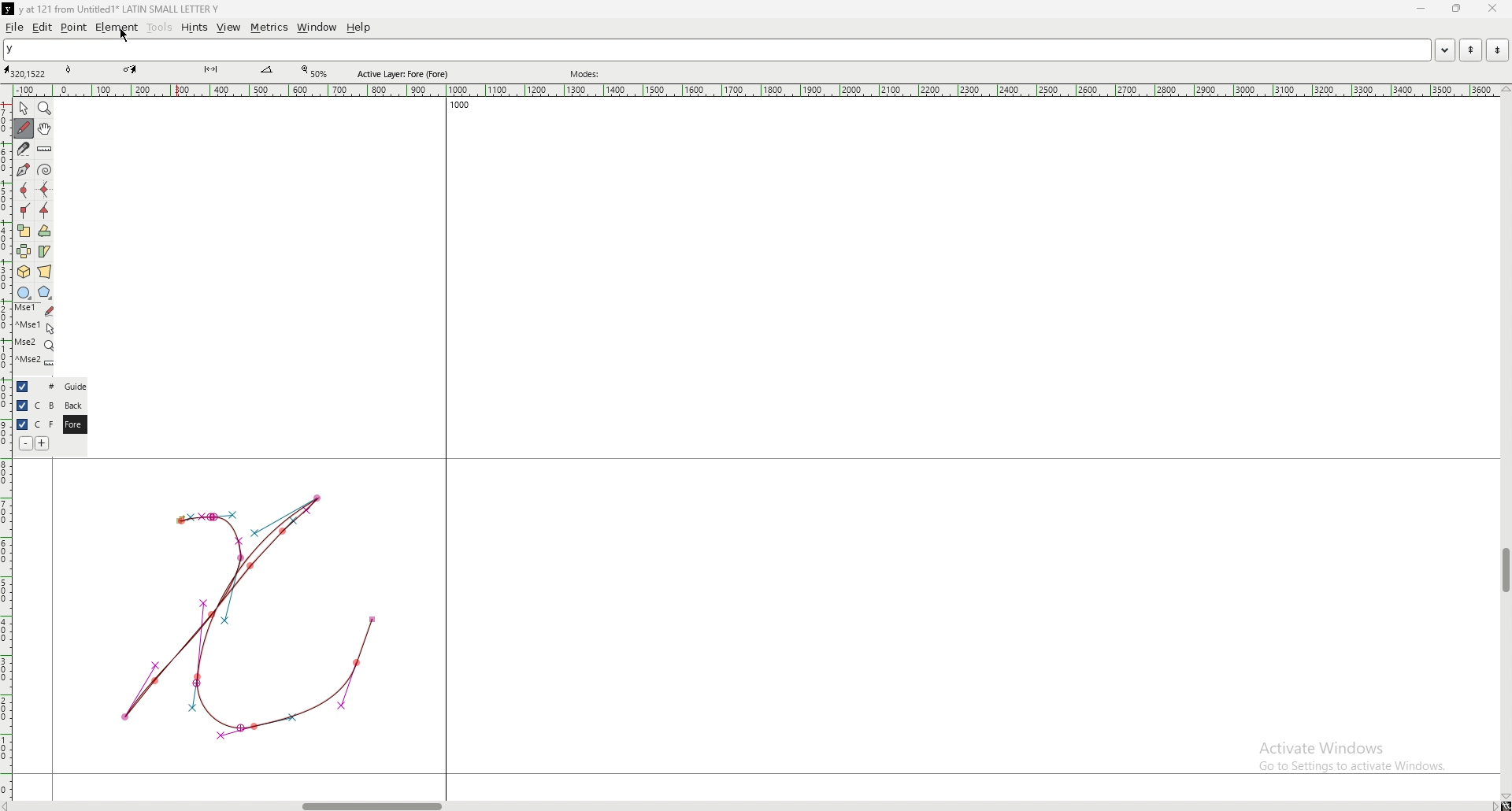  What do you see at coordinates (269, 28) in the screenshot?
I see `metrics` at bounding box center [269, 28].